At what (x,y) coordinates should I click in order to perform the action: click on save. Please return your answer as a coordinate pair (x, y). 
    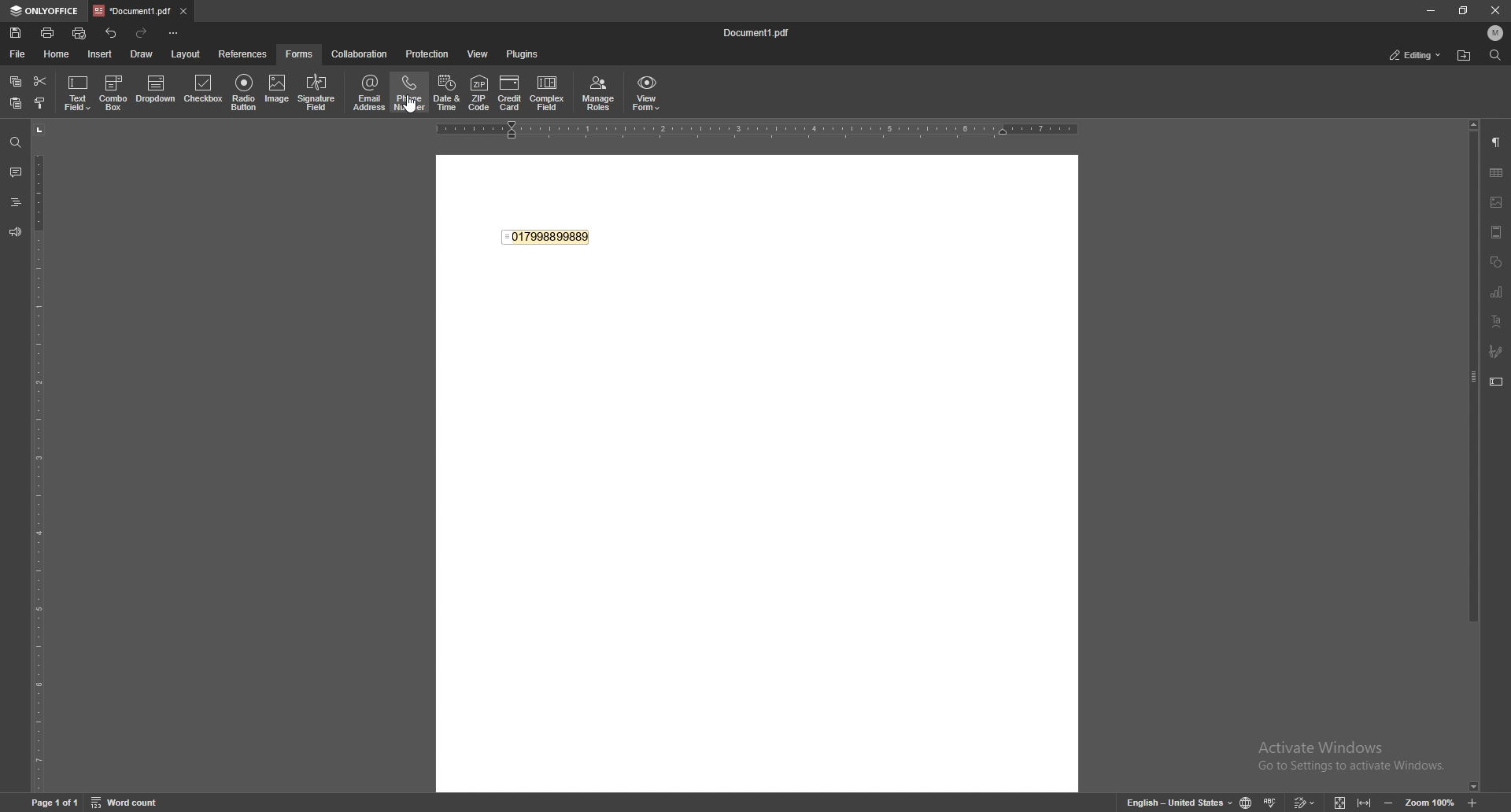
    Looking at the image, I should click on (16, 34).